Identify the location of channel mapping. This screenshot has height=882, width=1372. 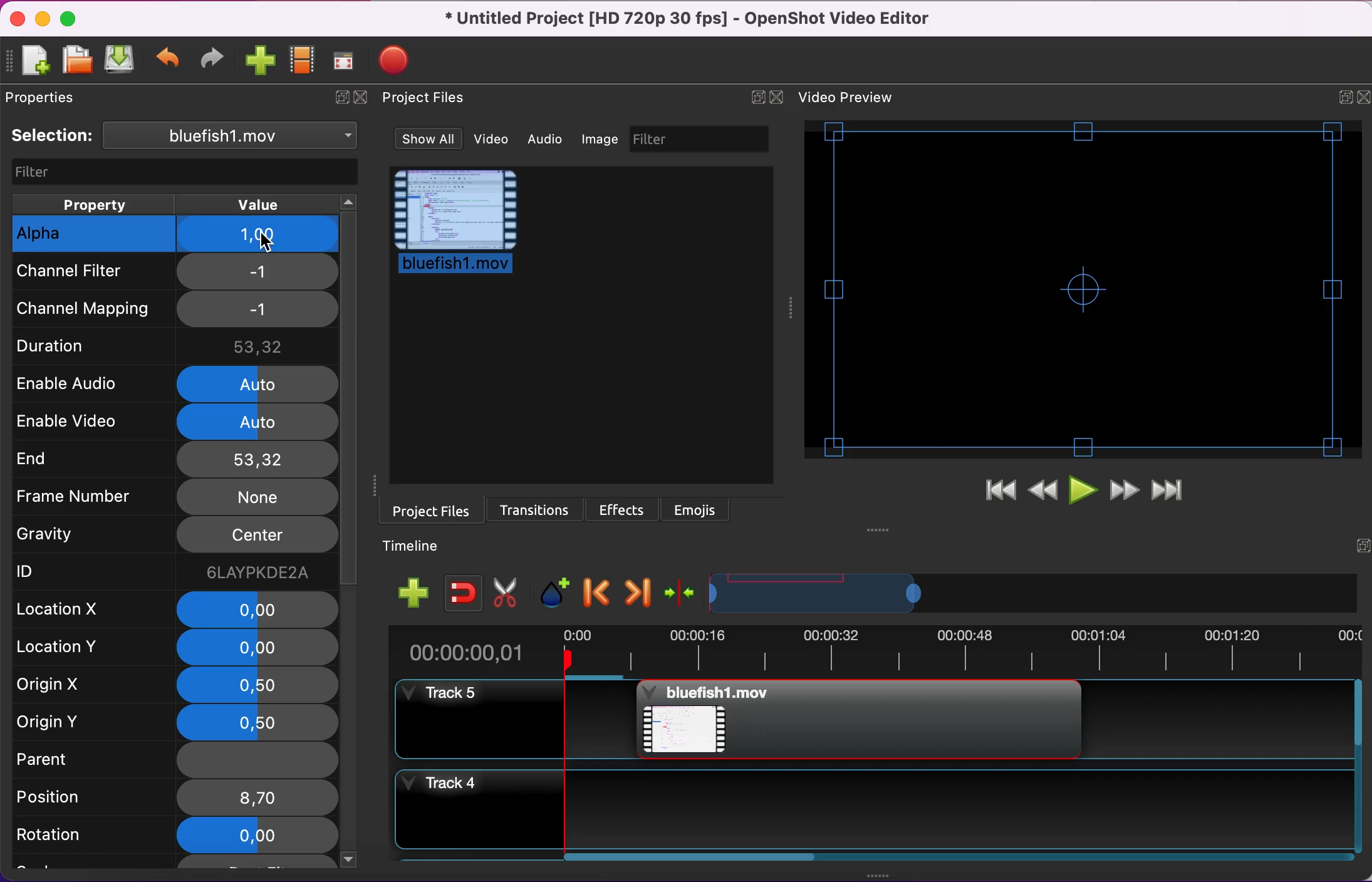
(93, 308).